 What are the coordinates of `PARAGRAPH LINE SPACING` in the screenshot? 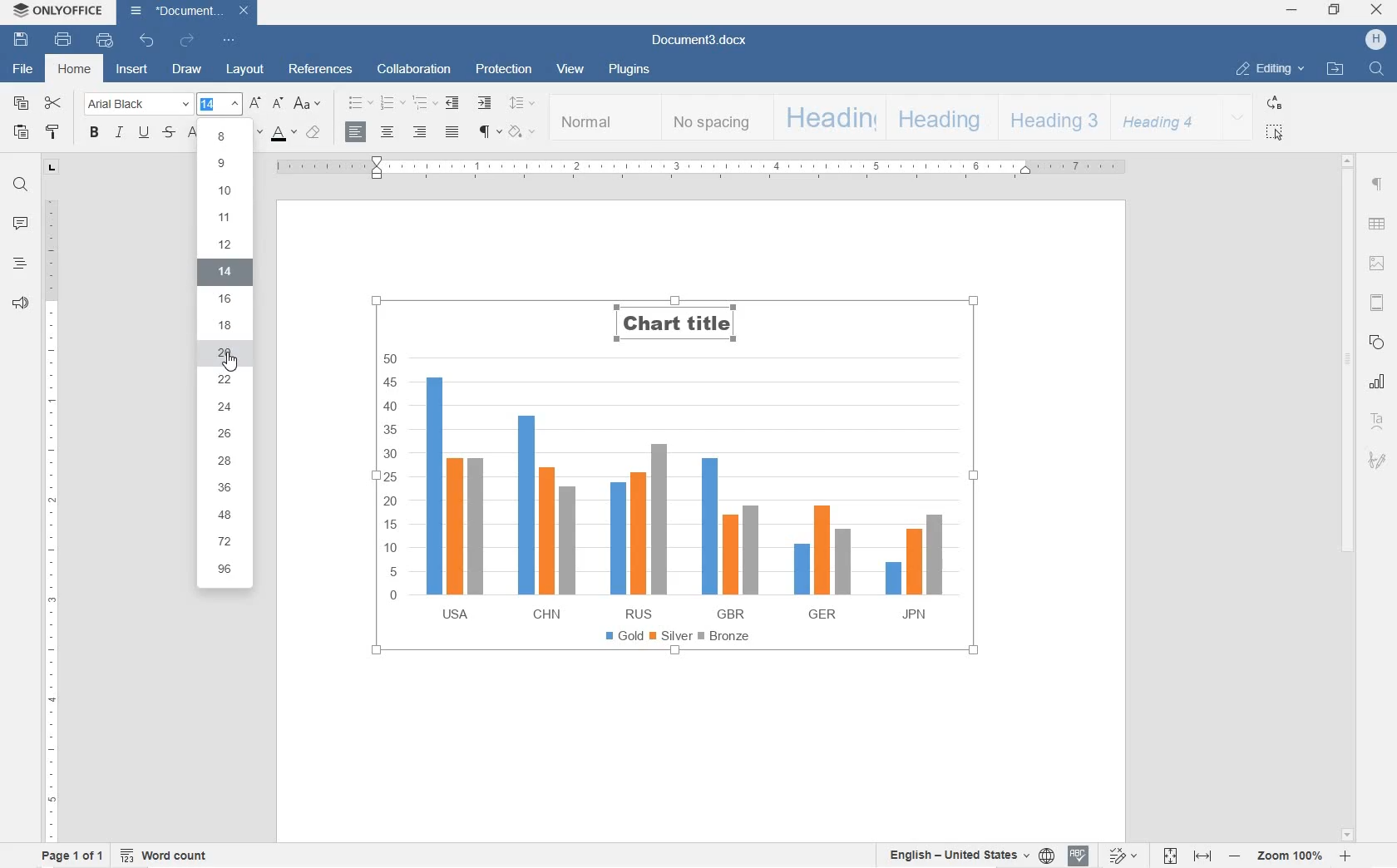 It's located at (521, 104).